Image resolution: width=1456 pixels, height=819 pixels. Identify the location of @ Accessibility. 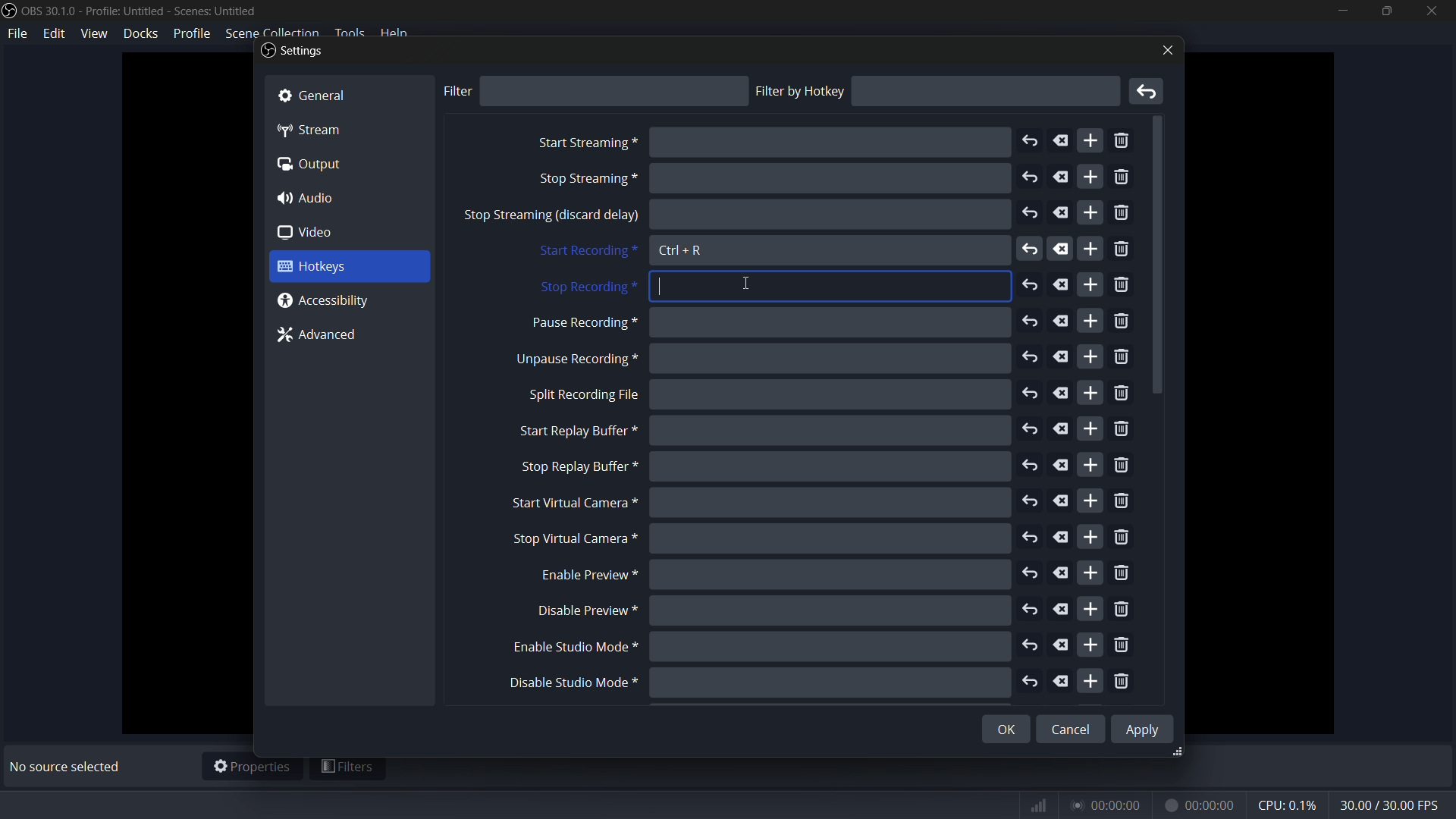
(330, 301).